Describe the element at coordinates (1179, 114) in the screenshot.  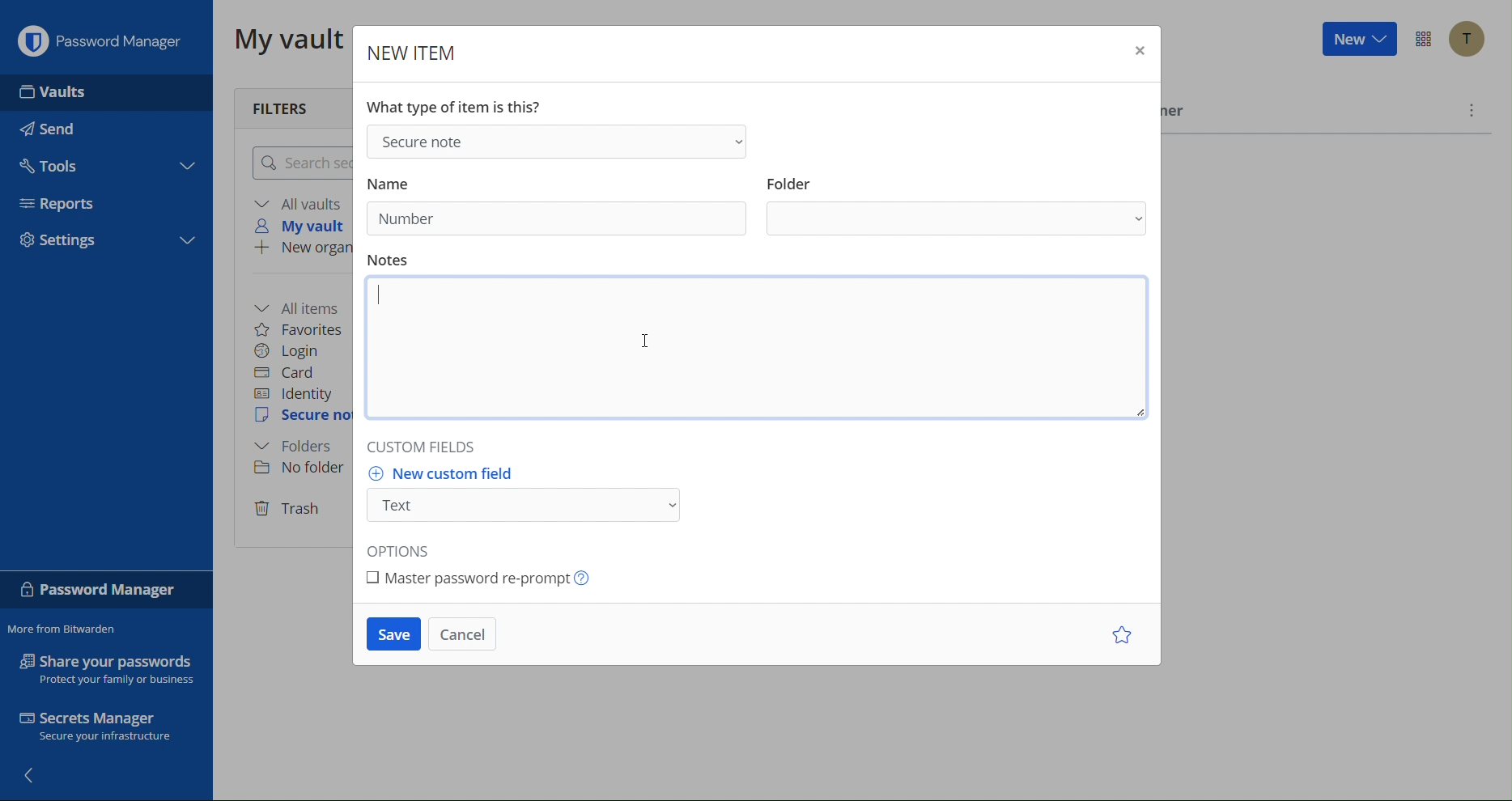
I see `Owner` at that location.